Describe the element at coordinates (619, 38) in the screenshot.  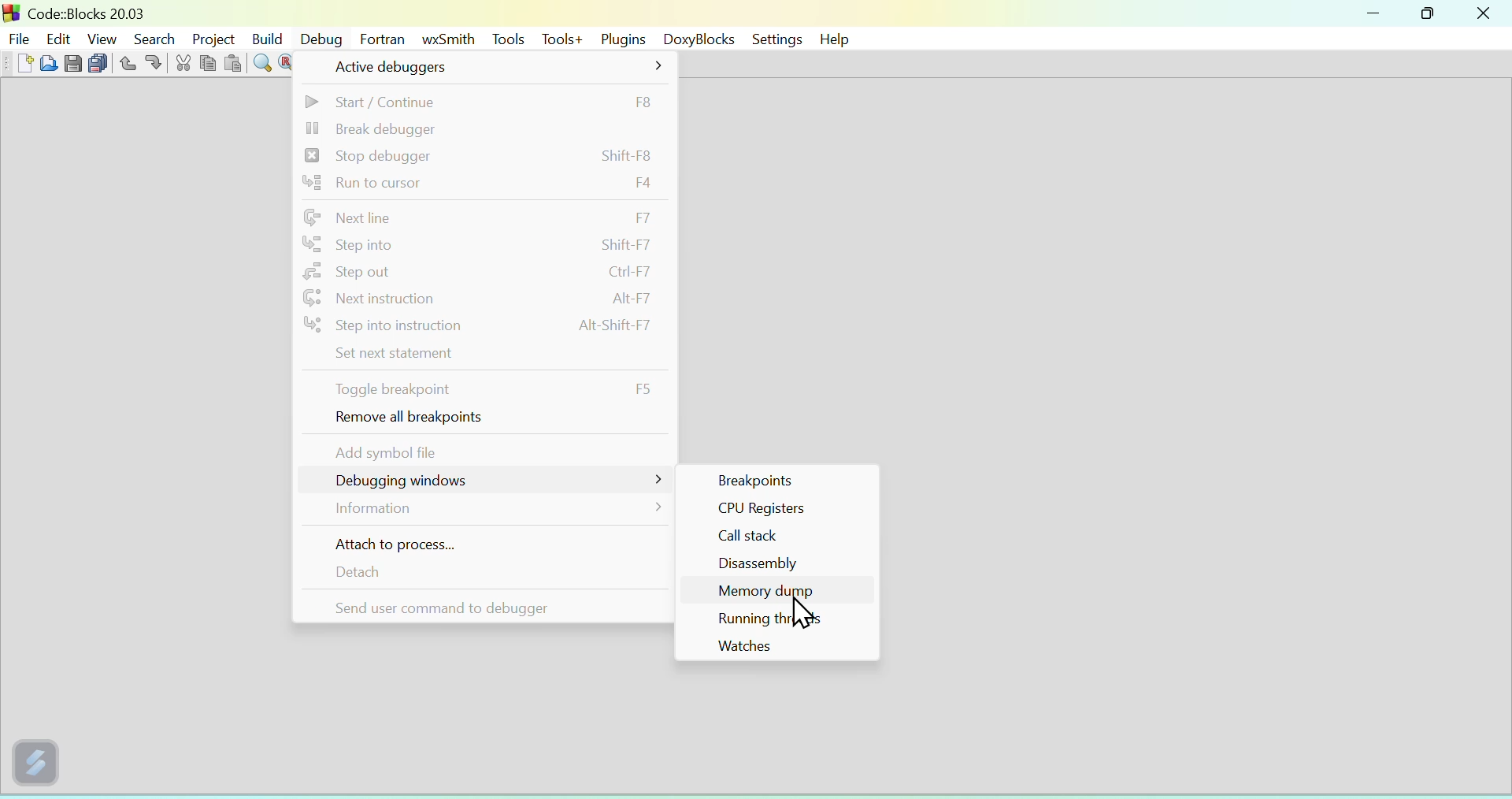
I see `Plugins` at that location.